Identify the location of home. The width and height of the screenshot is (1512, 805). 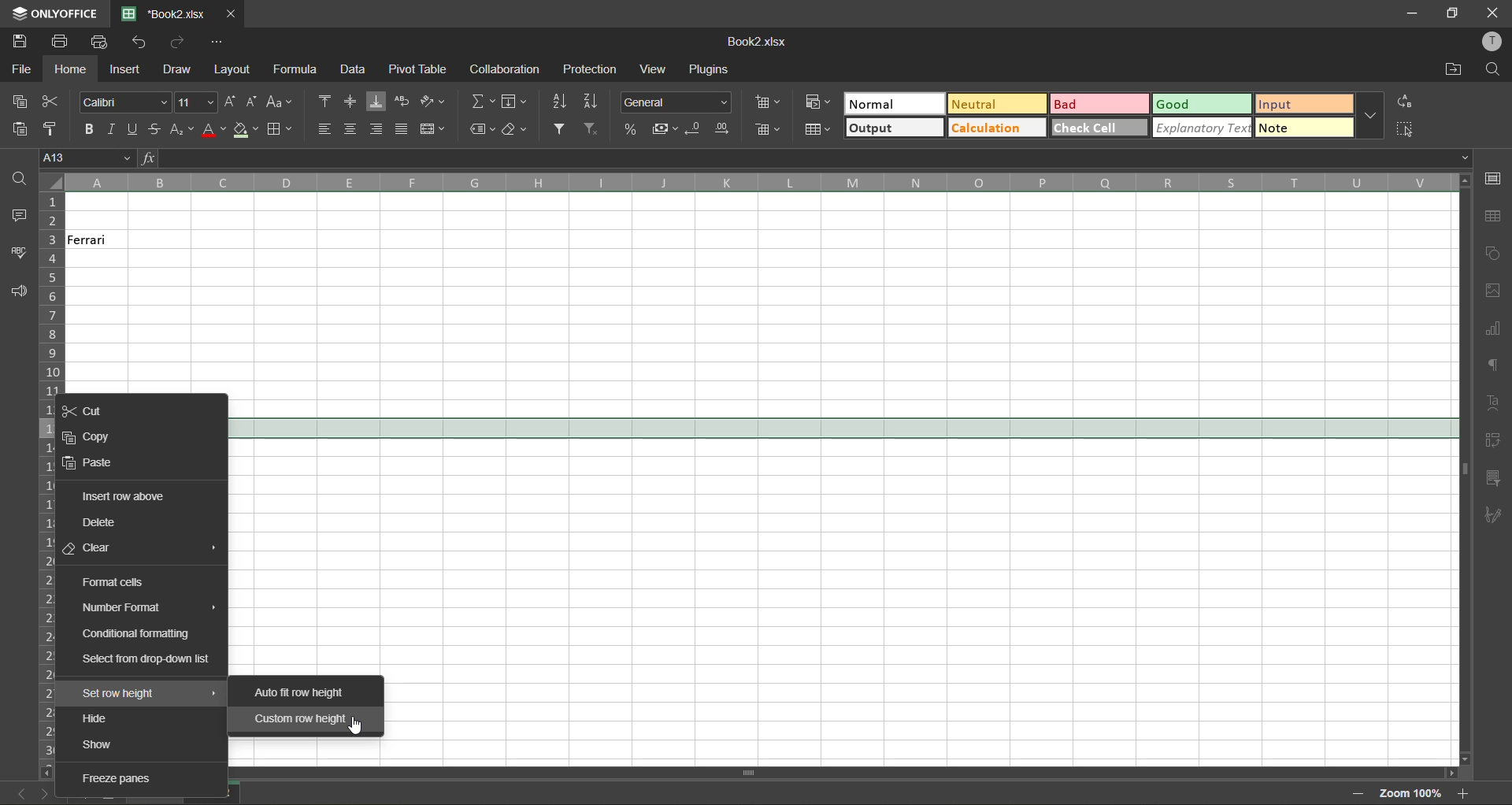
(70, 71).